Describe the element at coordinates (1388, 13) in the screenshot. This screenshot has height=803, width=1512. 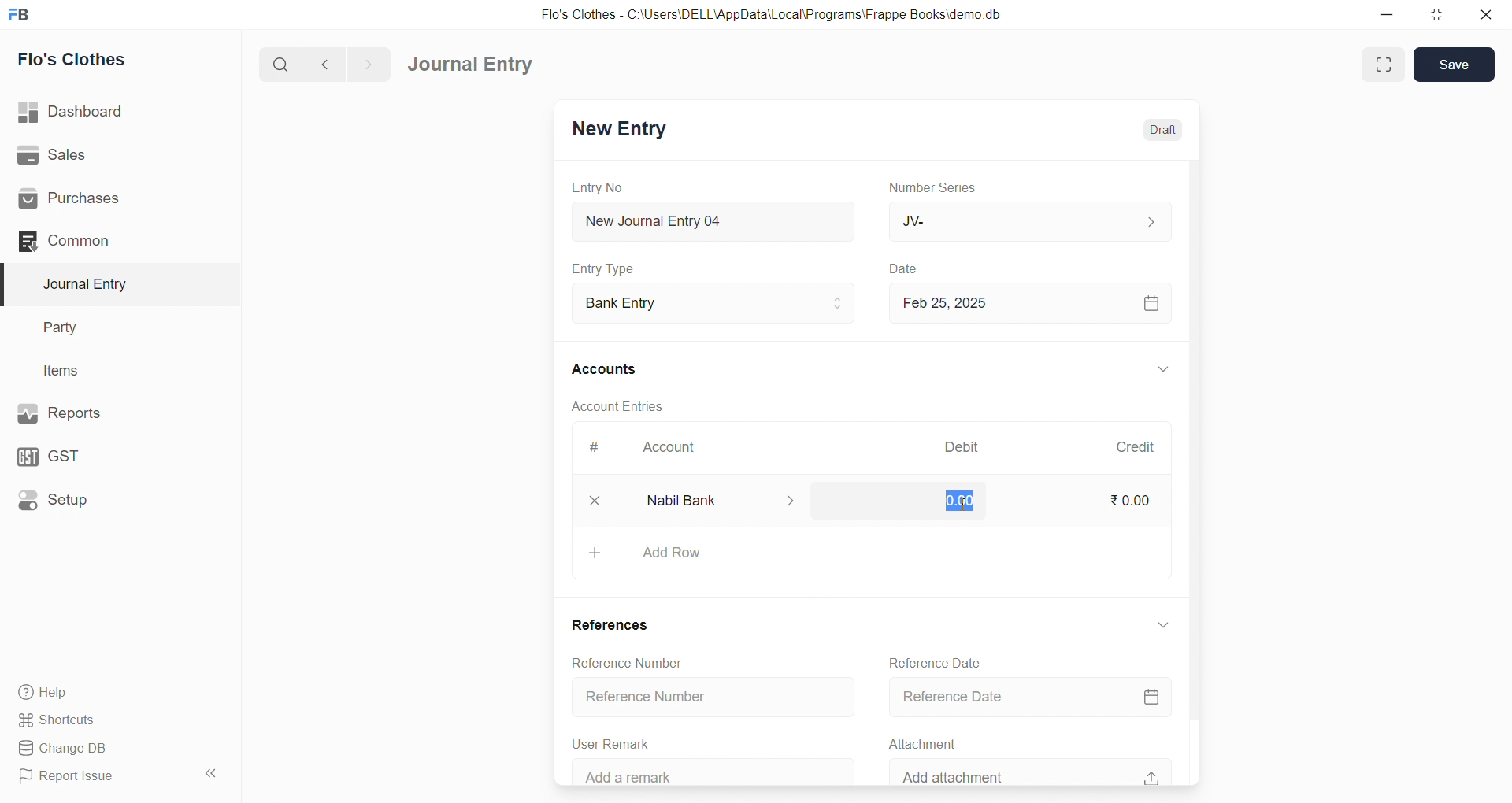
I see `minimize` at that location.